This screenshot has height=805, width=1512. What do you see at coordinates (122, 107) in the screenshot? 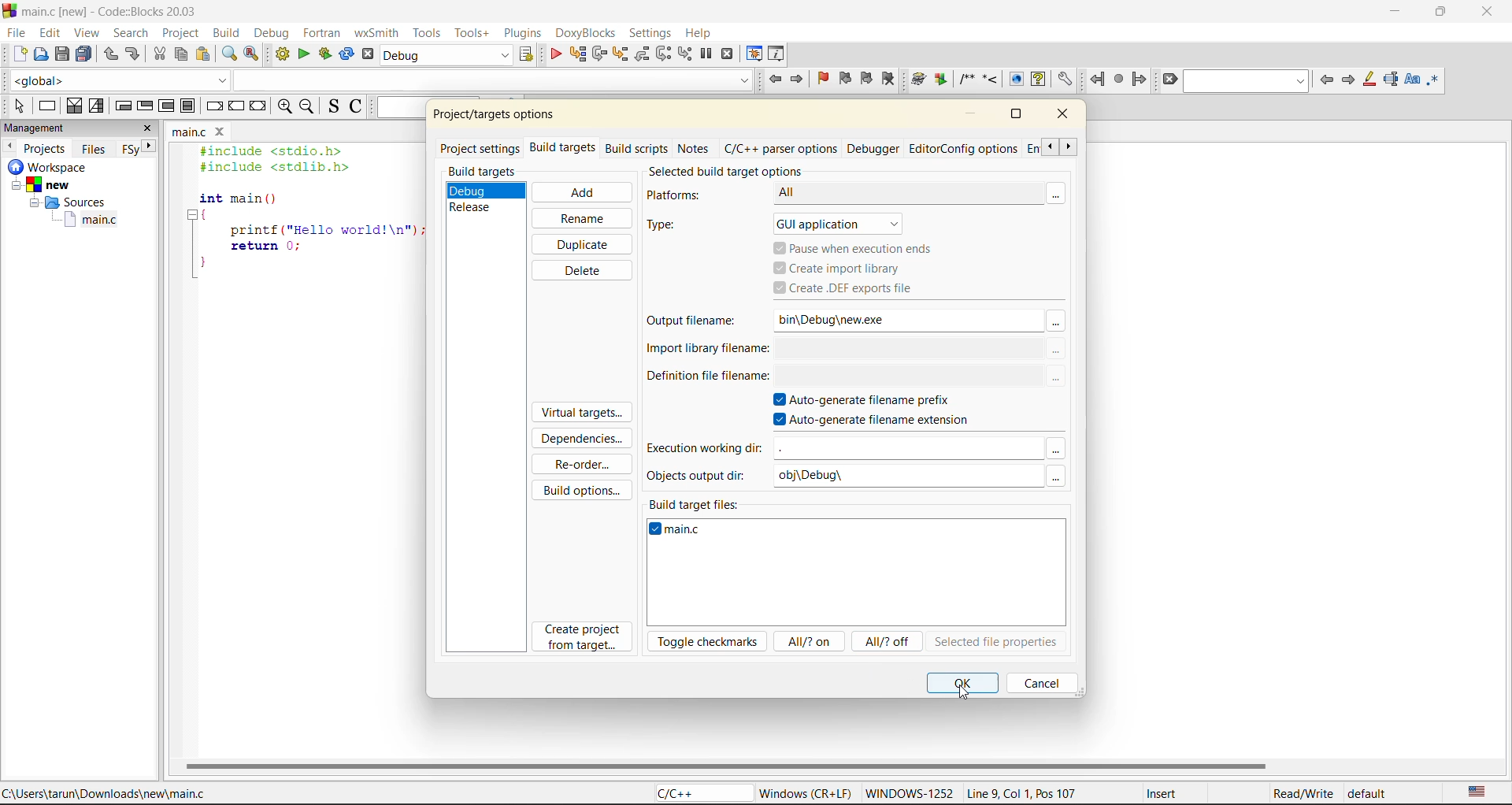
I see `entry condition loop` at bounding box center [122, 107].